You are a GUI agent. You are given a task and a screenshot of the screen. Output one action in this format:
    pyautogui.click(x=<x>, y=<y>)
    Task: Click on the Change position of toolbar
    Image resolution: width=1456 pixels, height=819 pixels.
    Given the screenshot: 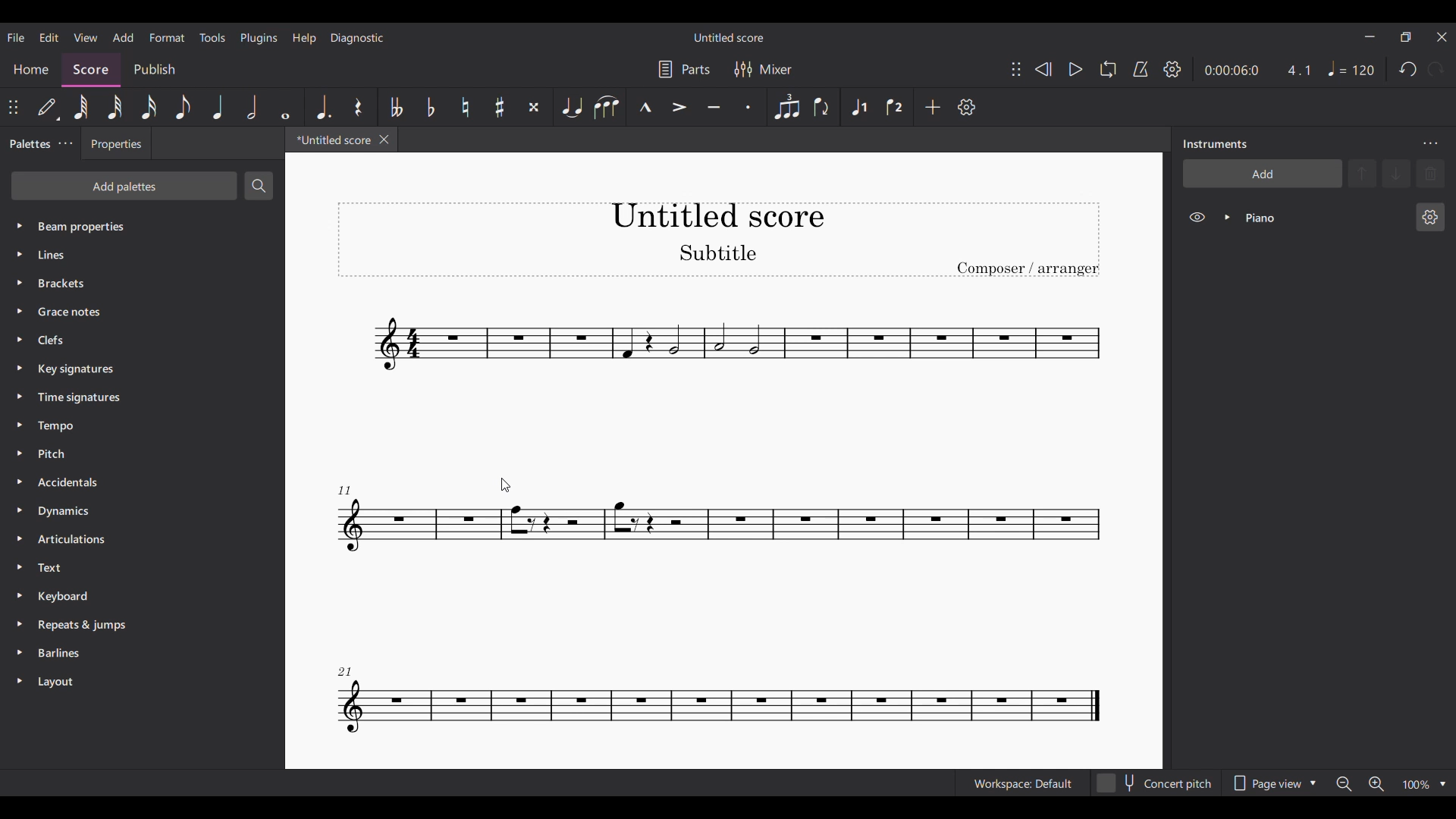 What is the action you would take?
    pyautogui.click(x=1016, y=69)
    